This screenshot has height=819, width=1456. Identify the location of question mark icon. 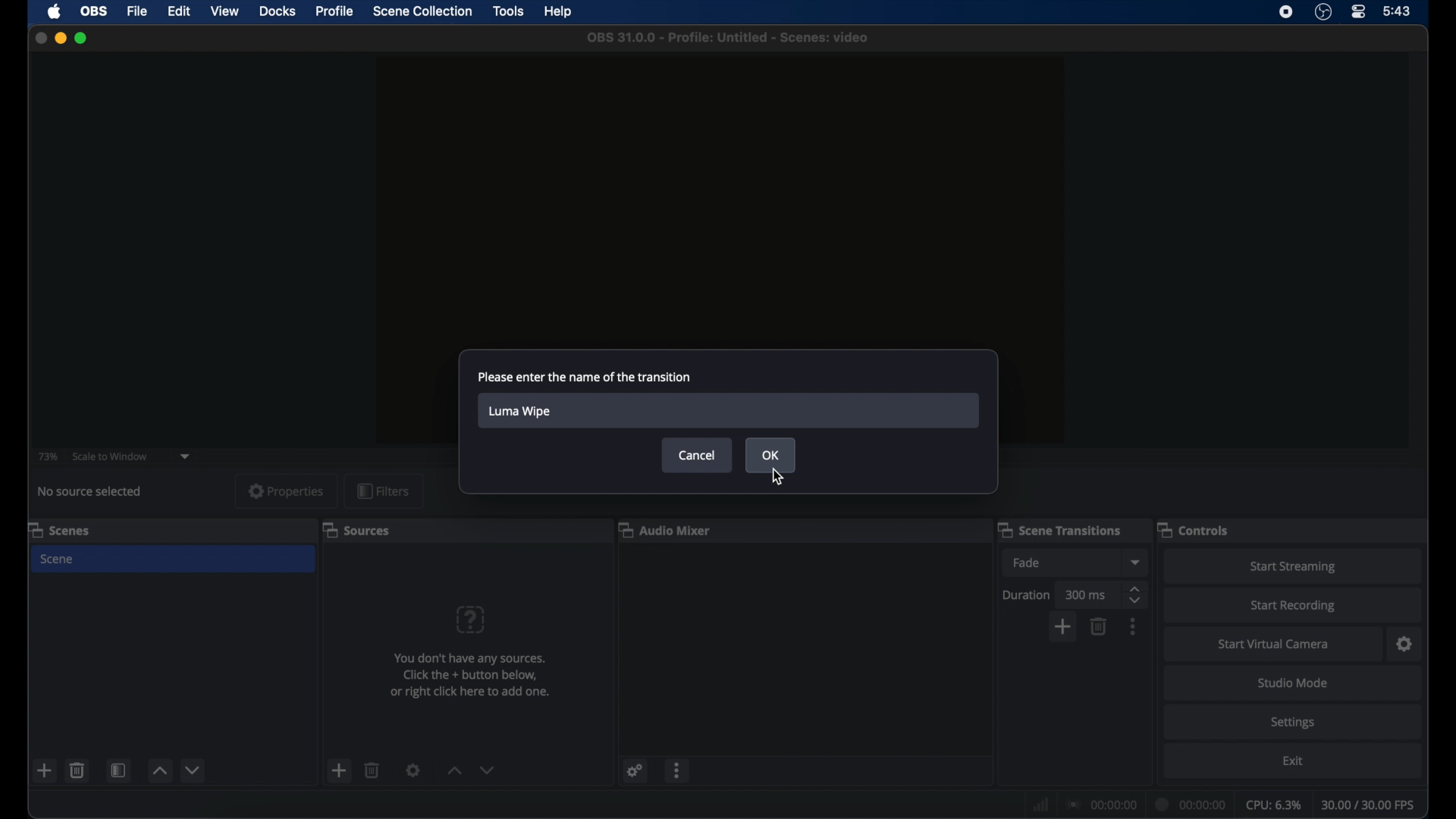
(469, 620).